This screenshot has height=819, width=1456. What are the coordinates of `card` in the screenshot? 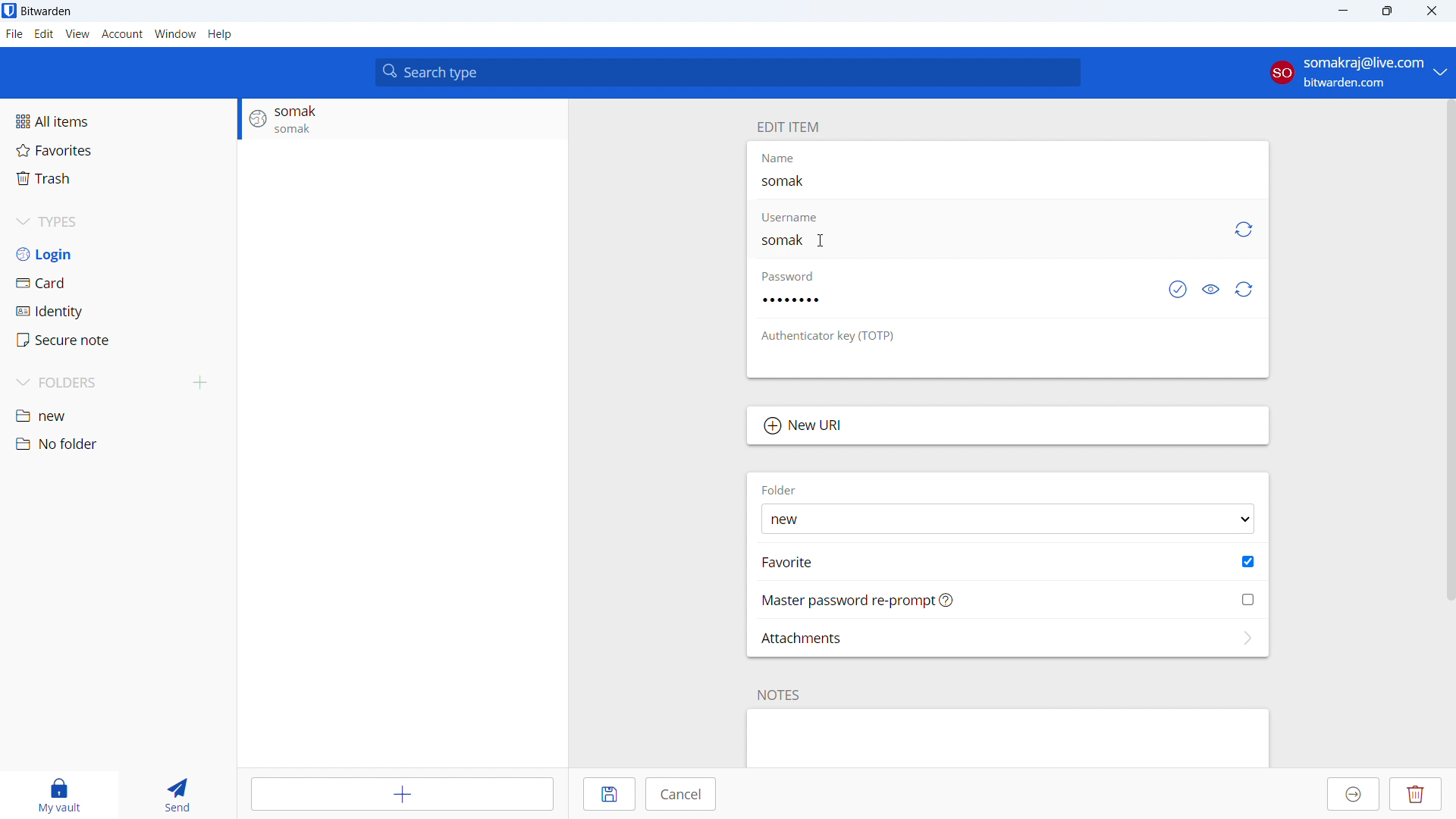 It's located at (118, 282).